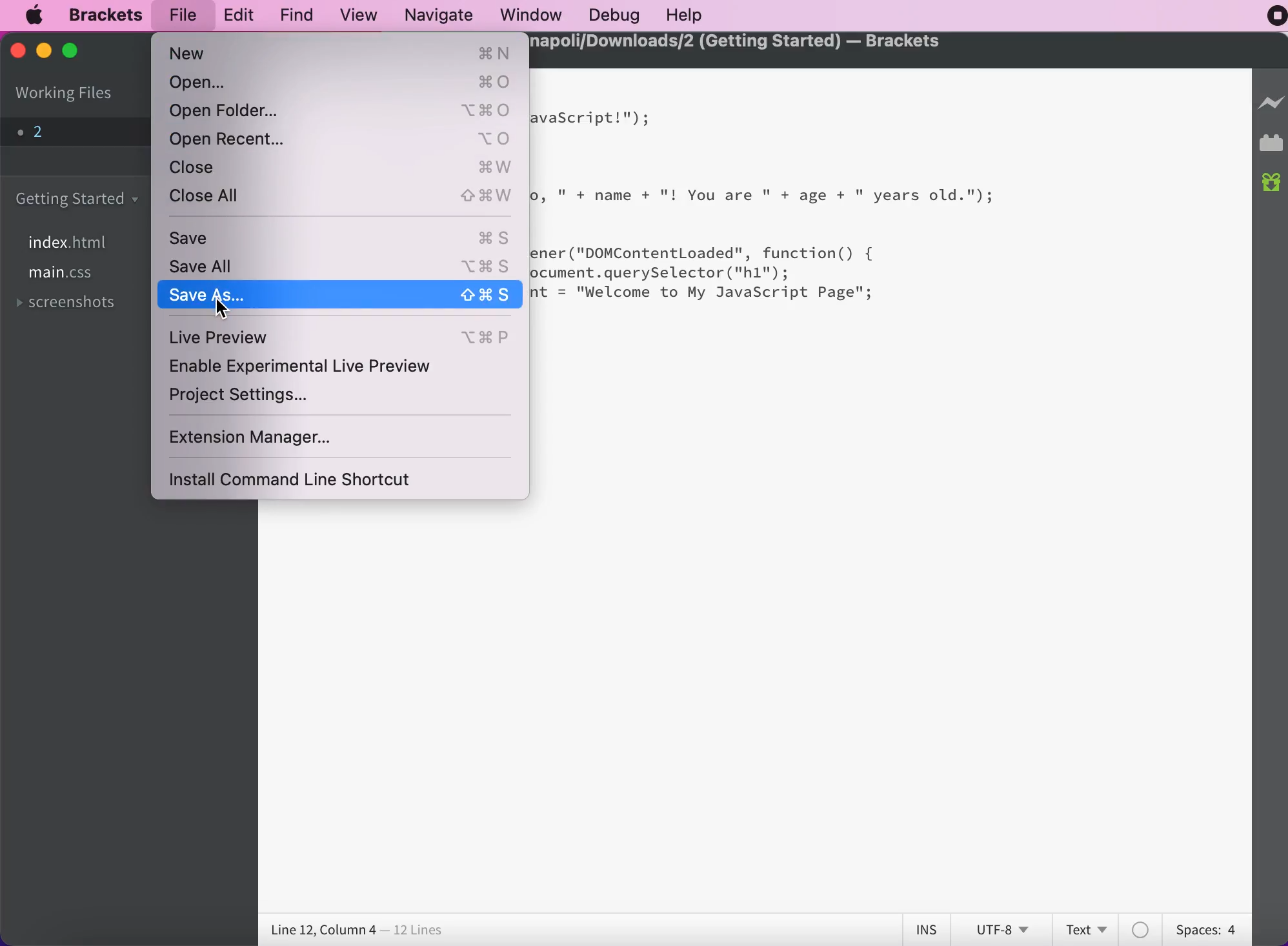  Describe the element at coordinates (612, 15) in the screenshot. I see `debug` at that location.